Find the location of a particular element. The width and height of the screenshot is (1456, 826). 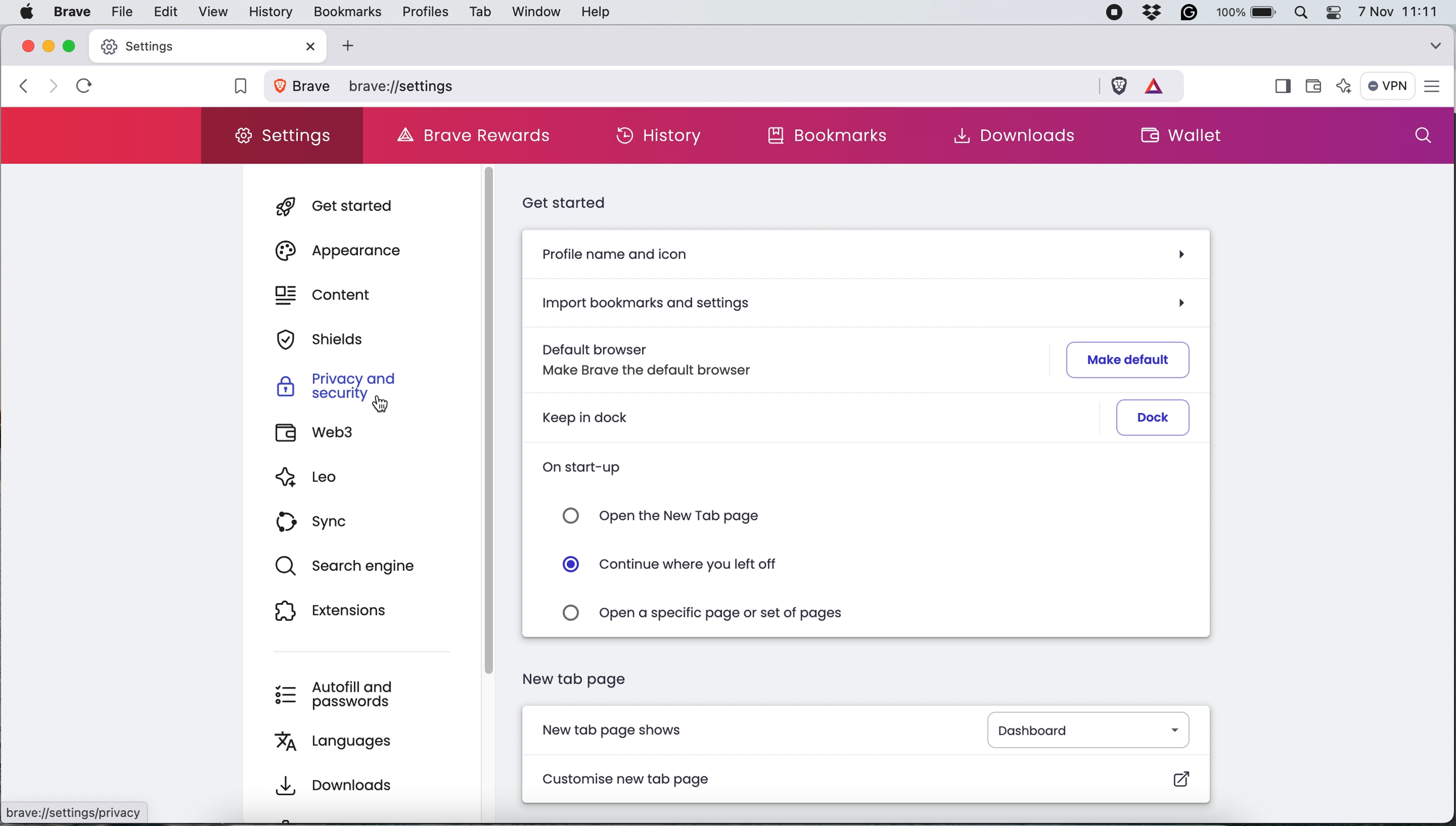

brave shields is located at coordinates (1119, 85).